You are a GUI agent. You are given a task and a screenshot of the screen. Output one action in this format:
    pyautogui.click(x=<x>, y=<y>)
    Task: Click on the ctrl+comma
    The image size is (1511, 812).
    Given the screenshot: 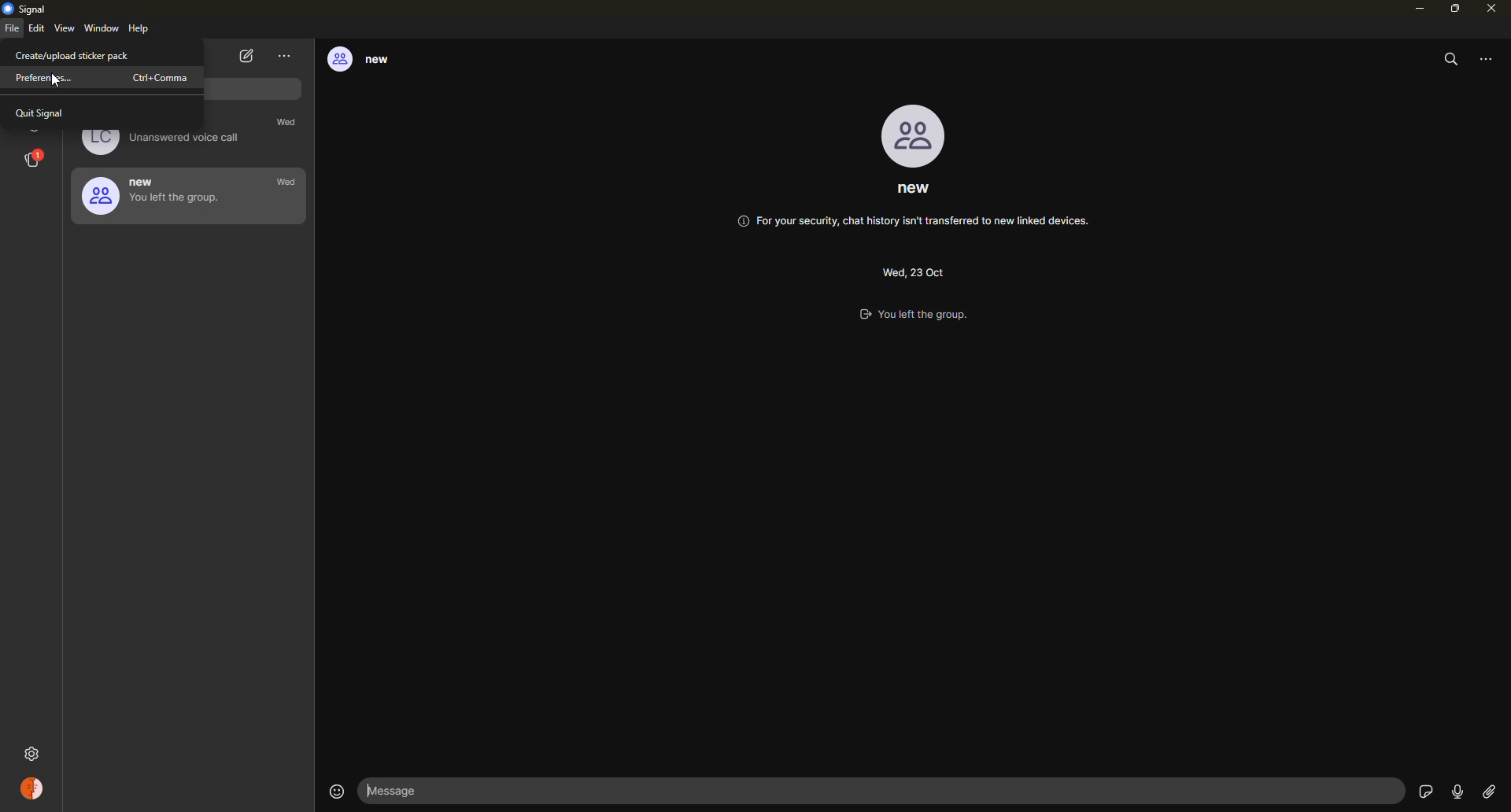 What is the action you would take?
    pyautogui.click(x=164, y=78)
    